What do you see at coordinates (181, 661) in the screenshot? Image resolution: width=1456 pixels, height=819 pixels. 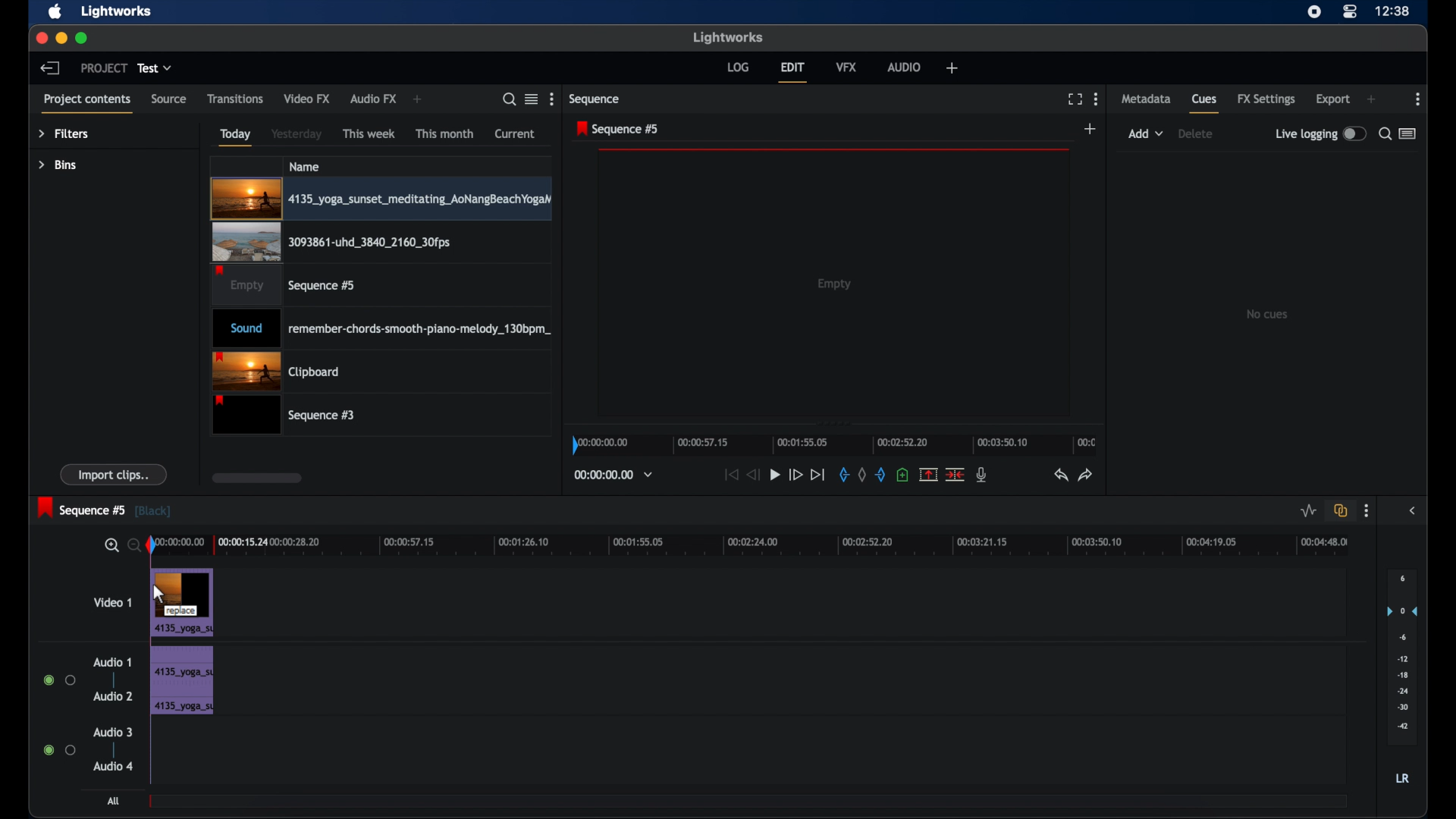 I see `audio clip` at bounding box center [181, 661].